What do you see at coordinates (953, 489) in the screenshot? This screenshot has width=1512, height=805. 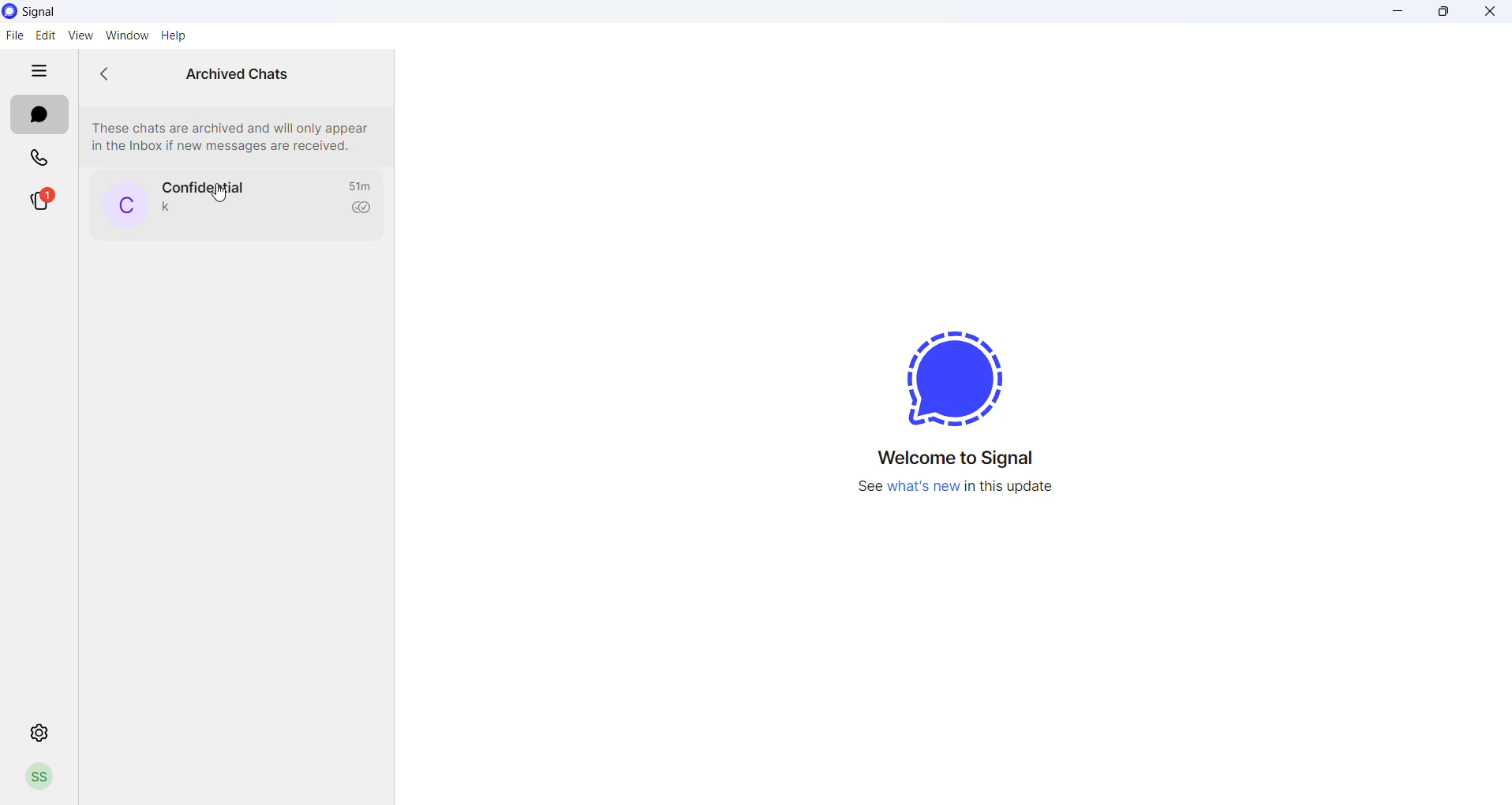 I see `information regarding new update` at bounding box center [953, 489].